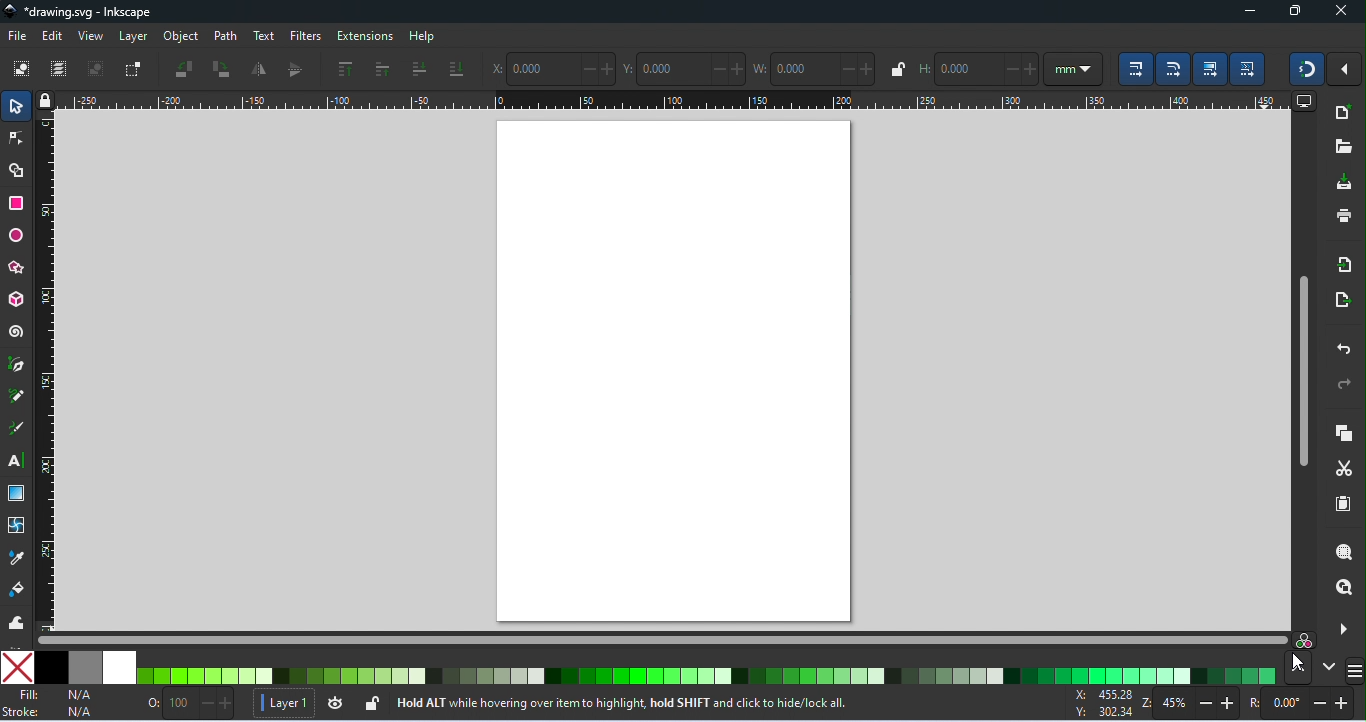 This screenshot has width=1366, height=722. I want to click on rotate object 90 degree clockwise, so click(221, 70).